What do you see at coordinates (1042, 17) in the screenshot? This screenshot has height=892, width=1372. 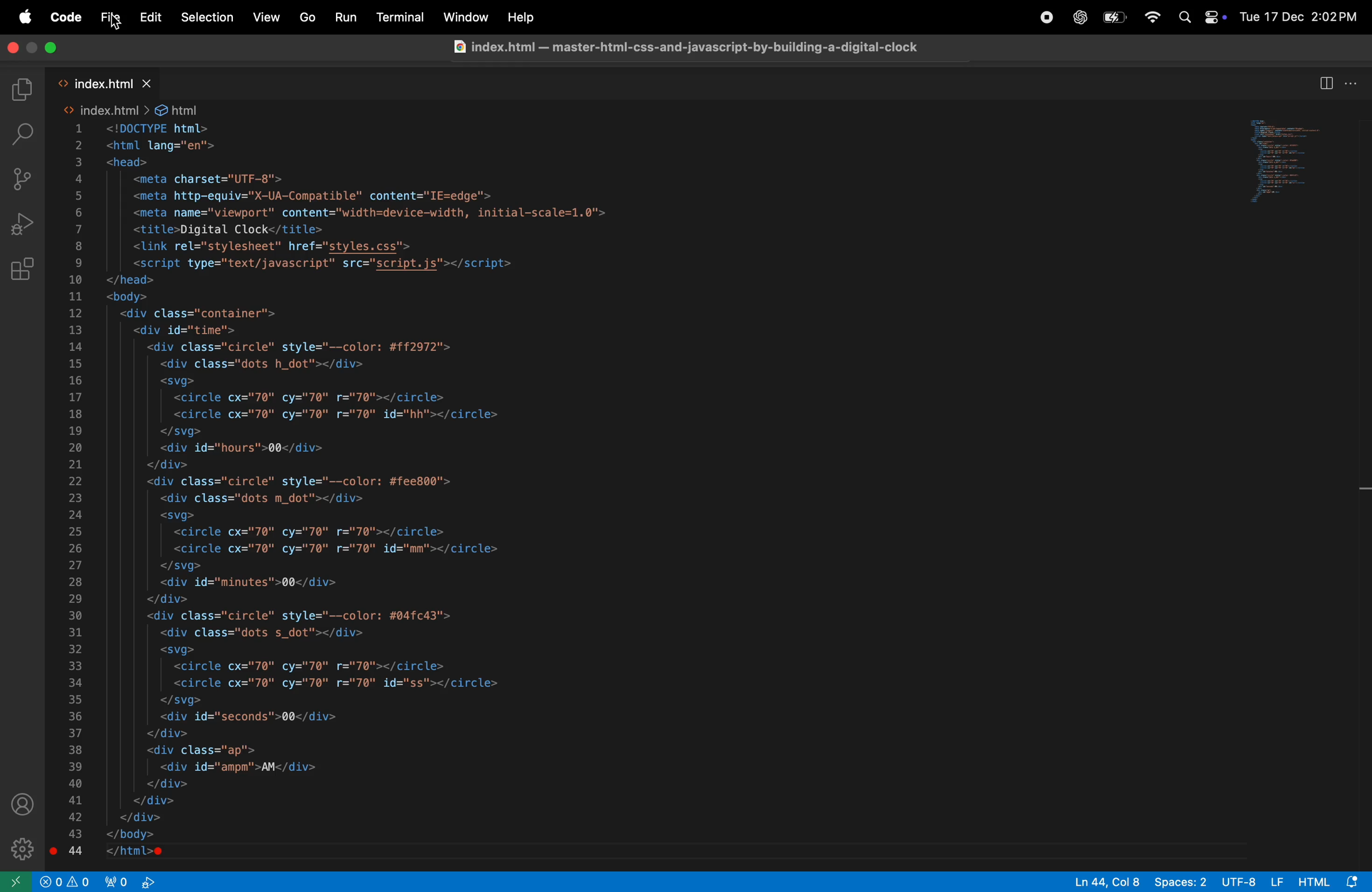 I see `chatgpt` at bounding box center [1042, 17].